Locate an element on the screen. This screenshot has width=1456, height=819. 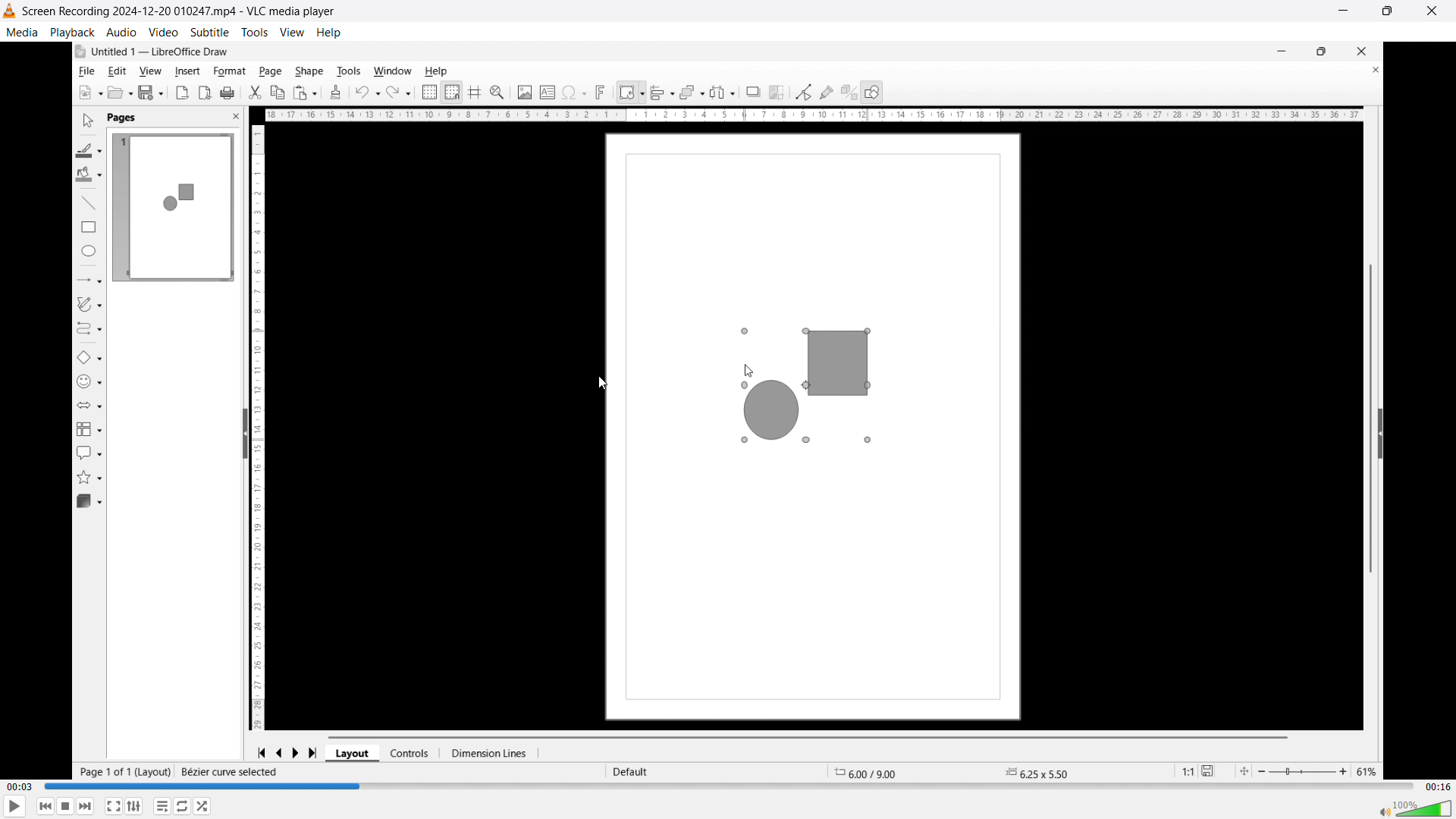
Close is located at coordinates (1435, 11).